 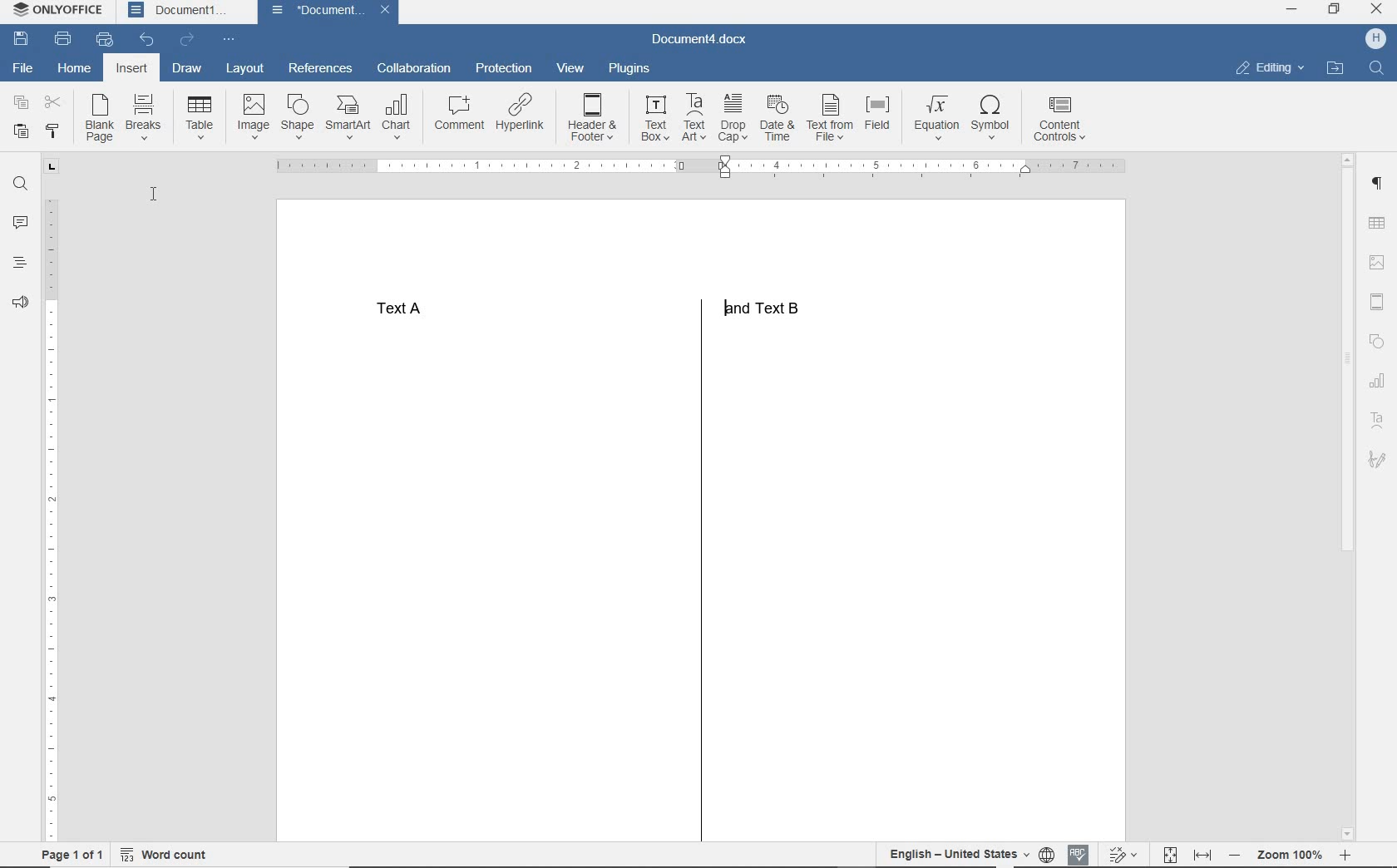 What do you see at coordinates (1046, 852) in the screenshot?
I see `SET DOCUMENT LANGUAGE` at bounding box center [1046, 852].